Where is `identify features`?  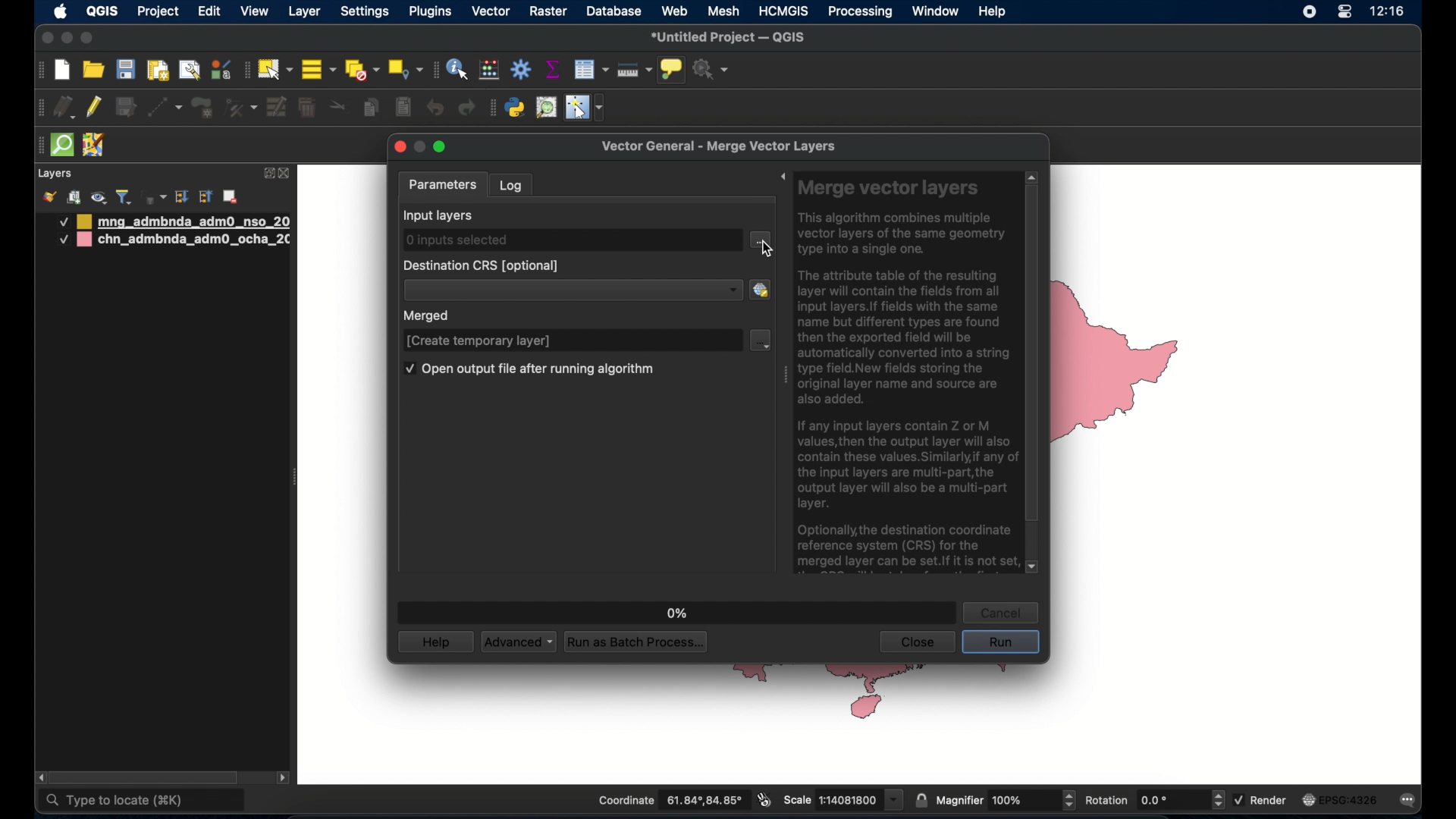
identify features is located at coordinates (457, 69).